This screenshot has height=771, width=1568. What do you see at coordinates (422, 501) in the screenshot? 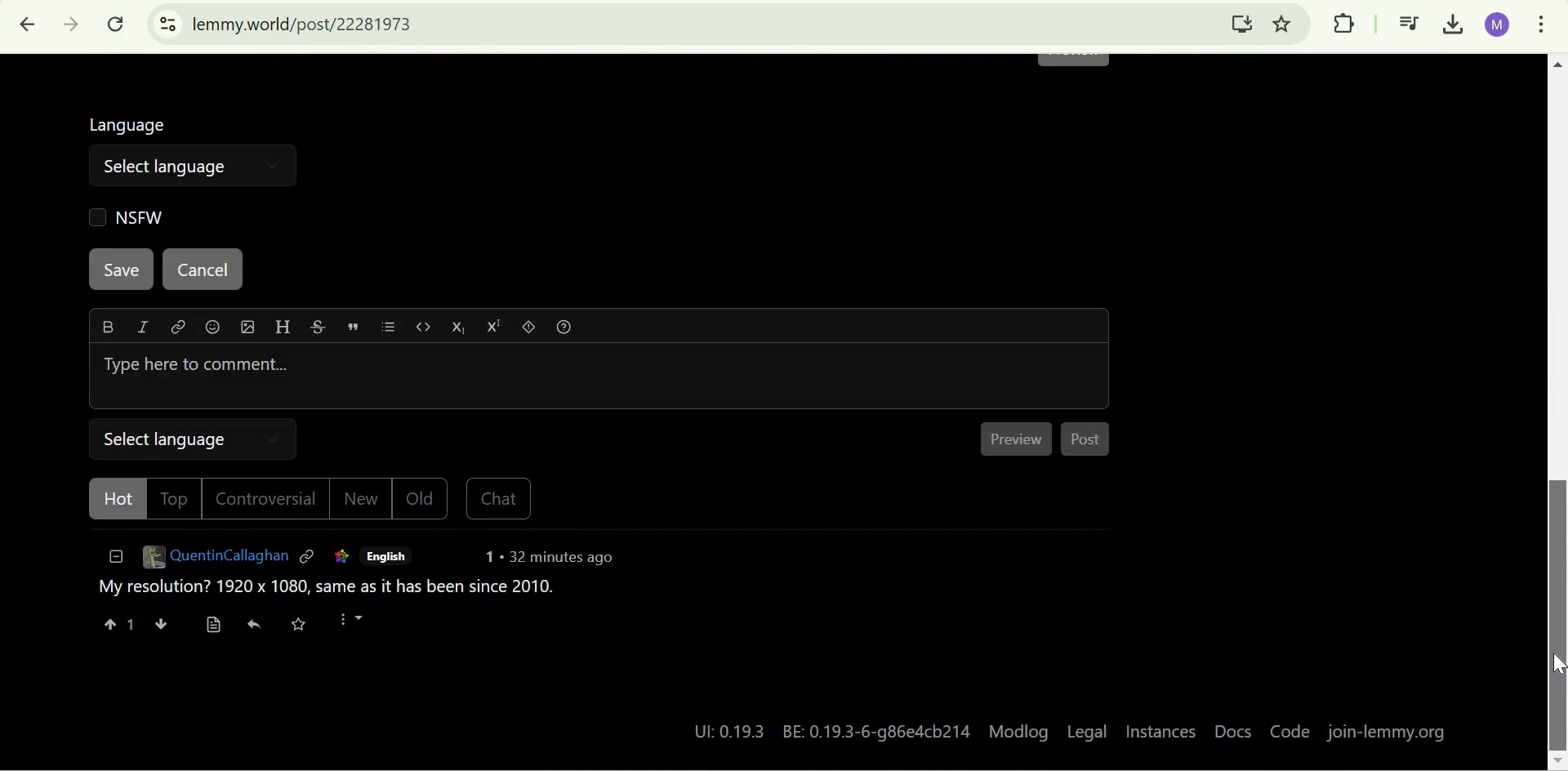
I see `Old` at bounding box center [422, 501].